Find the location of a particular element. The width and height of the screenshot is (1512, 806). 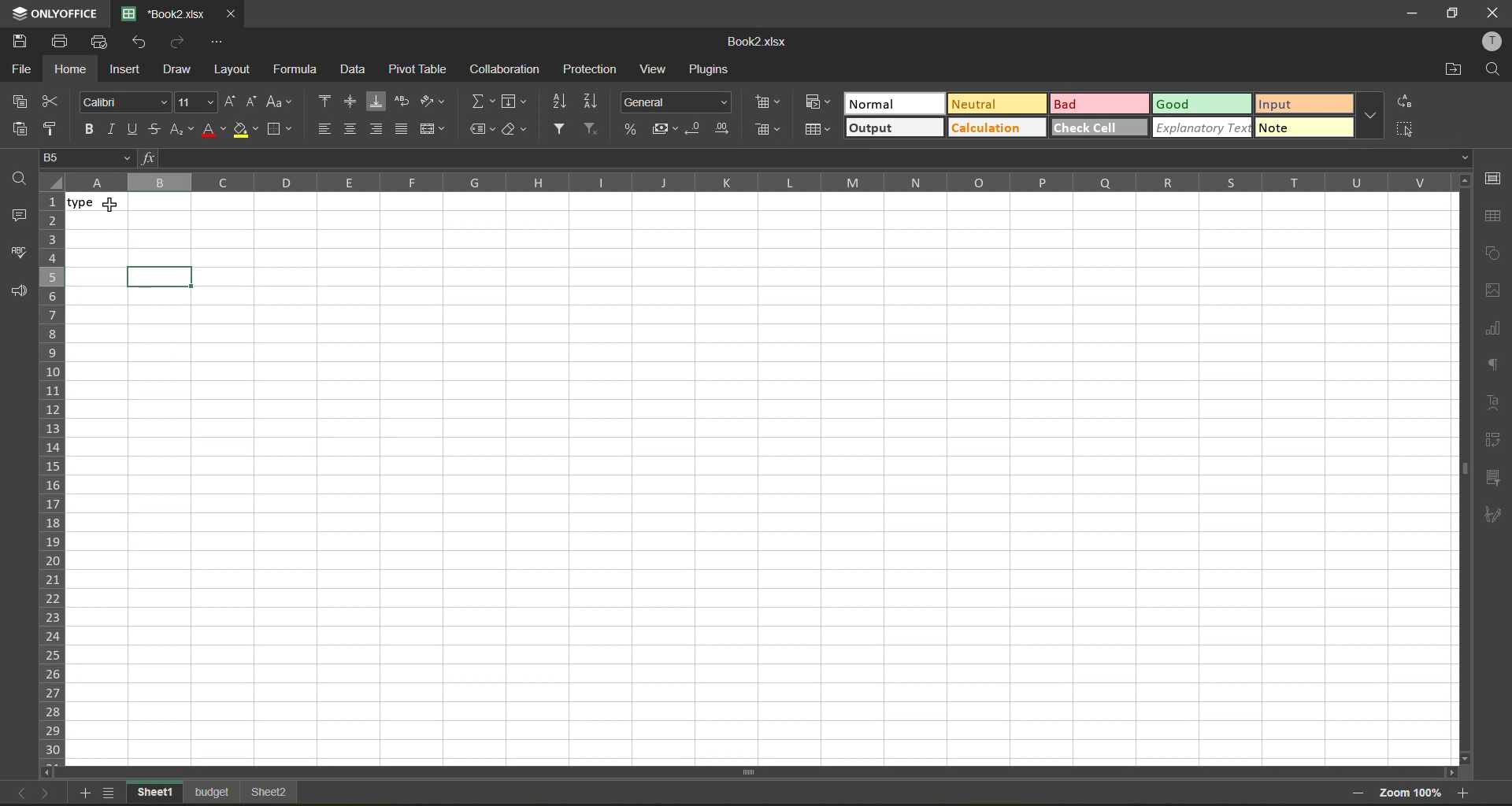

plugins is located at coordinates (713, 70).